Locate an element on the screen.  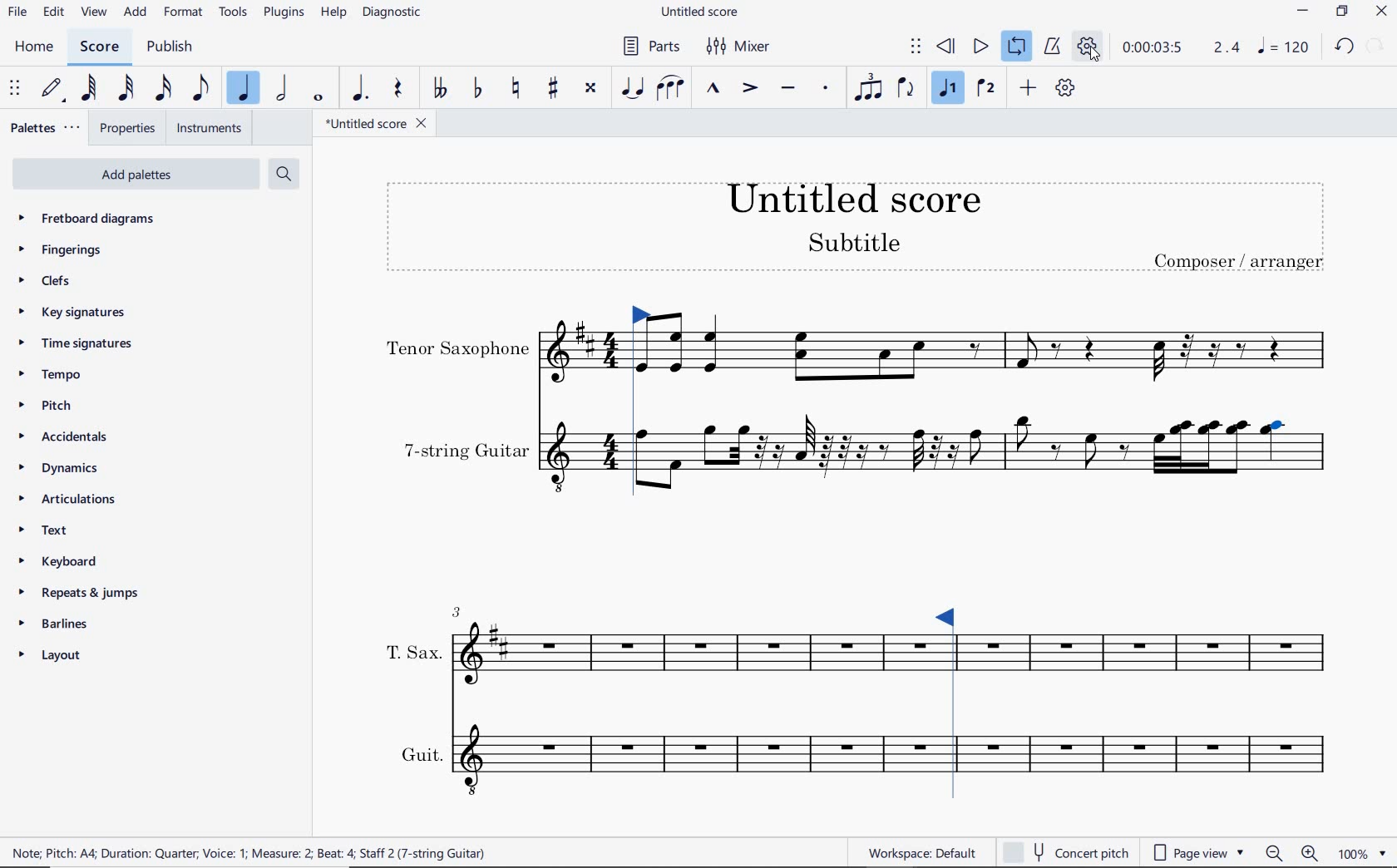
TITLE is located at coordinates (852, 223).